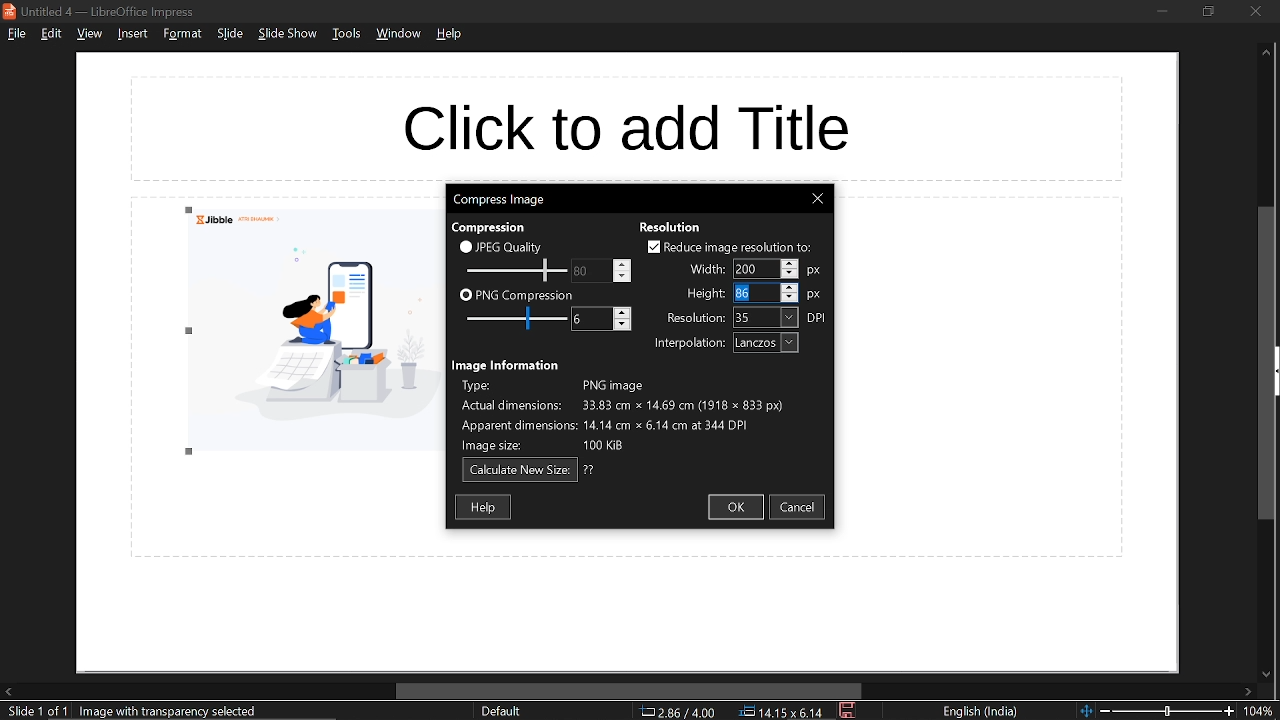  Describe the element at coordinates (800, 507) in the screenshot. I see `cancel` at that location.